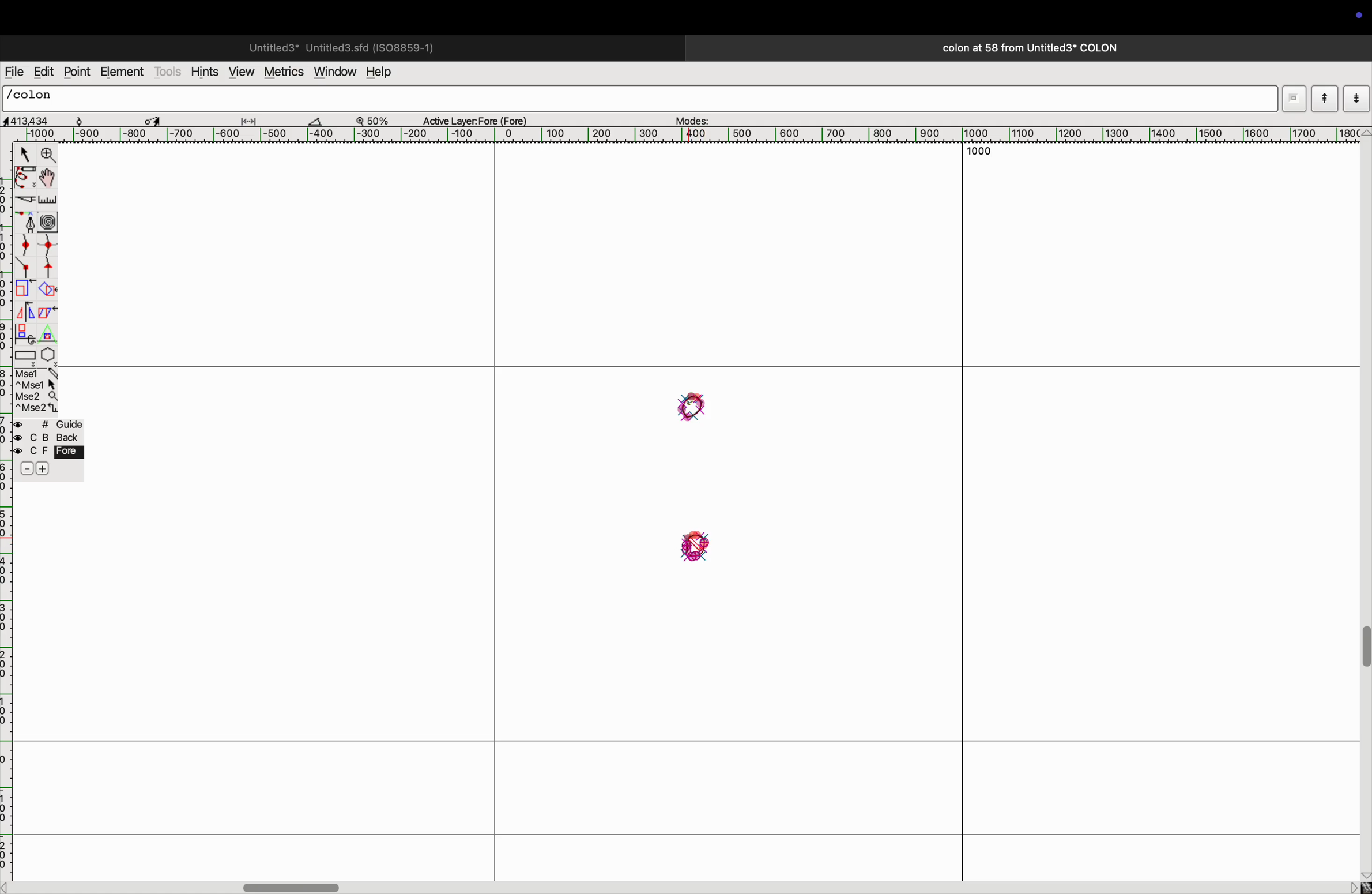  Describe the element at coordinates (322, 121) in the screenshot. I see `cut` at that location.